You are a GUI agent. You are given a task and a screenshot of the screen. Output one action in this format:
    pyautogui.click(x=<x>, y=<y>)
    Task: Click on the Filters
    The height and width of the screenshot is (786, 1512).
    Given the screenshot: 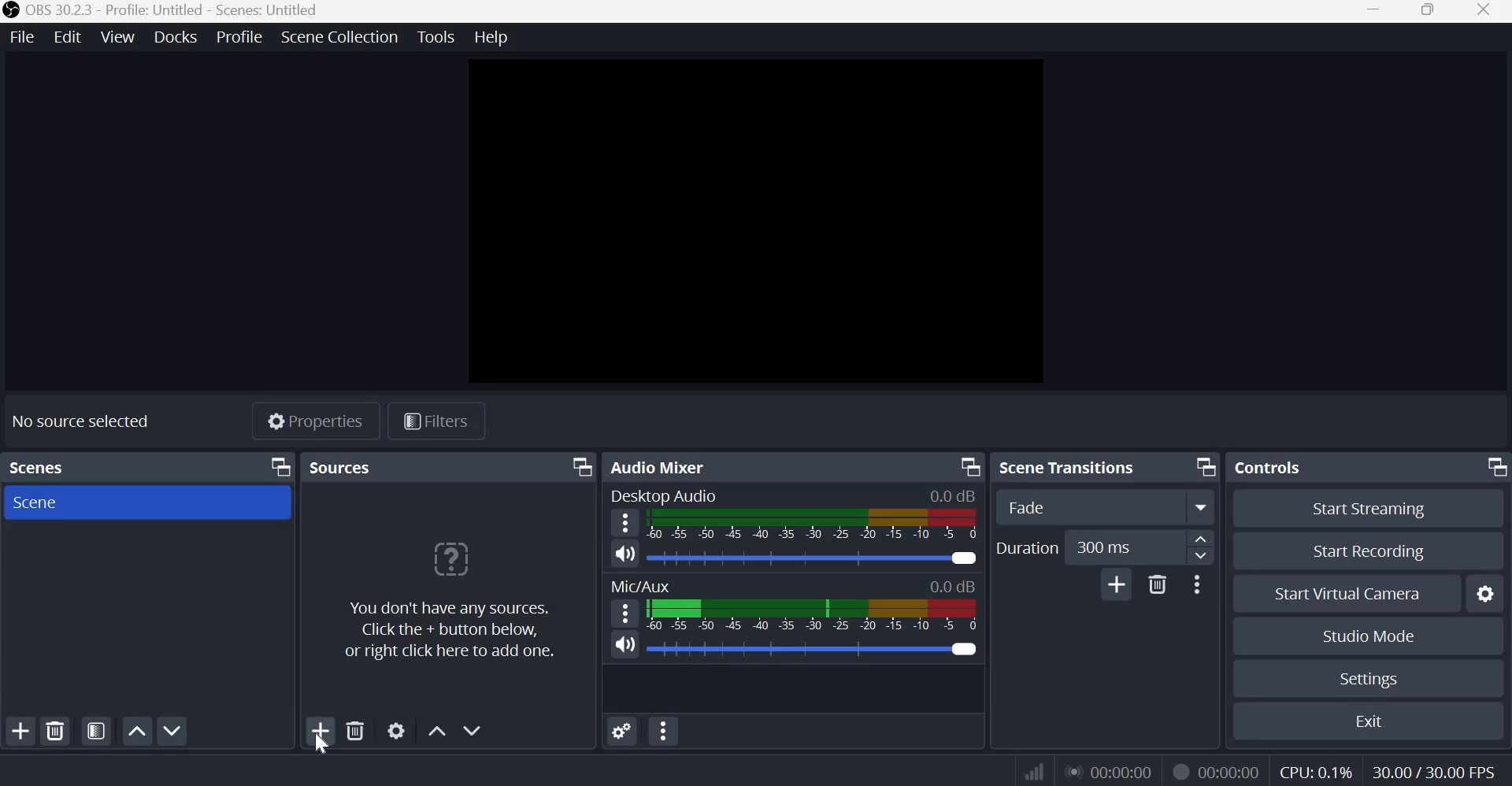 What is the action you would take?
    pyautogui.click(x=435, y=421)
    